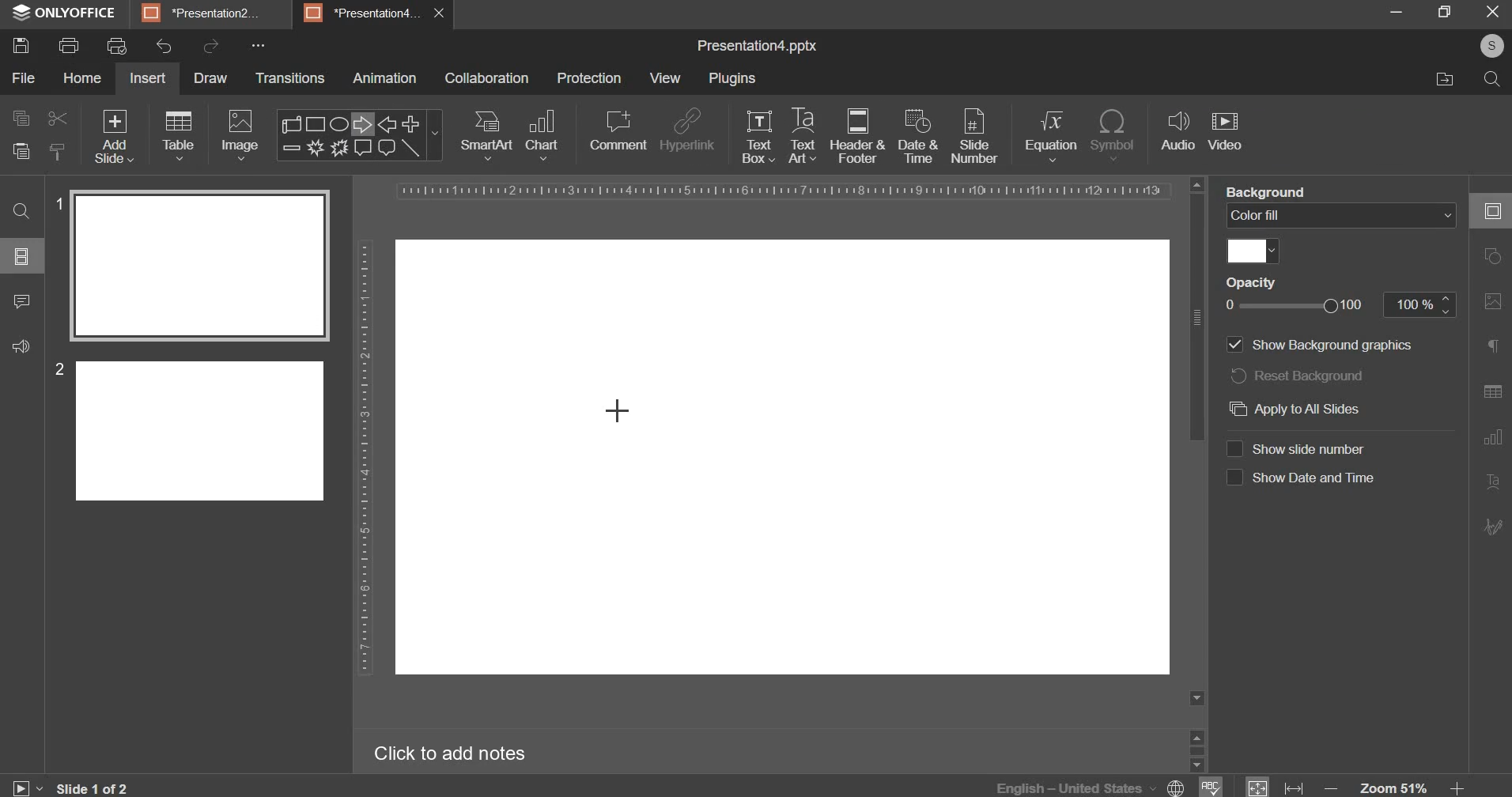 The image size is (1512, 797). Describe the element at coordinates (1335, 345) in the screenshot. I see `` at that location.